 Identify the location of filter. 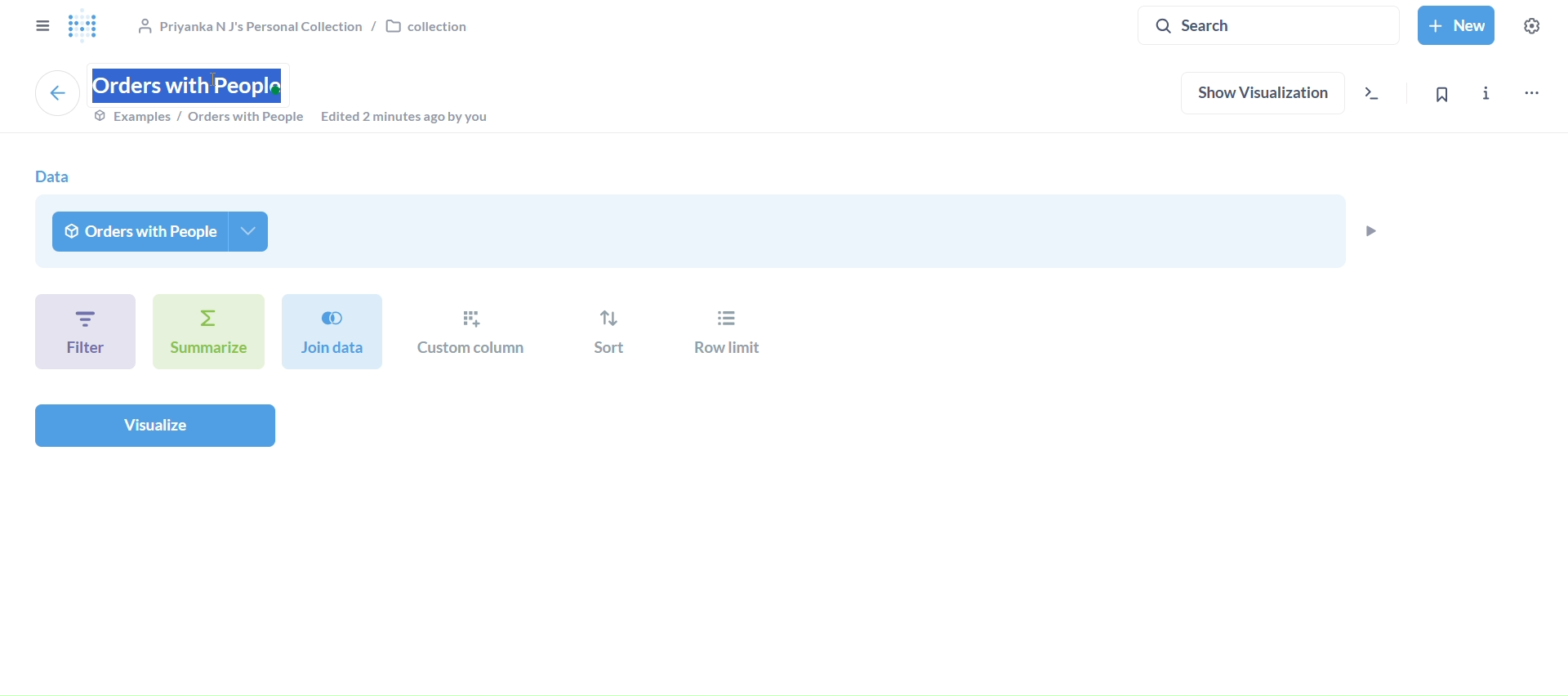
(84, 330).